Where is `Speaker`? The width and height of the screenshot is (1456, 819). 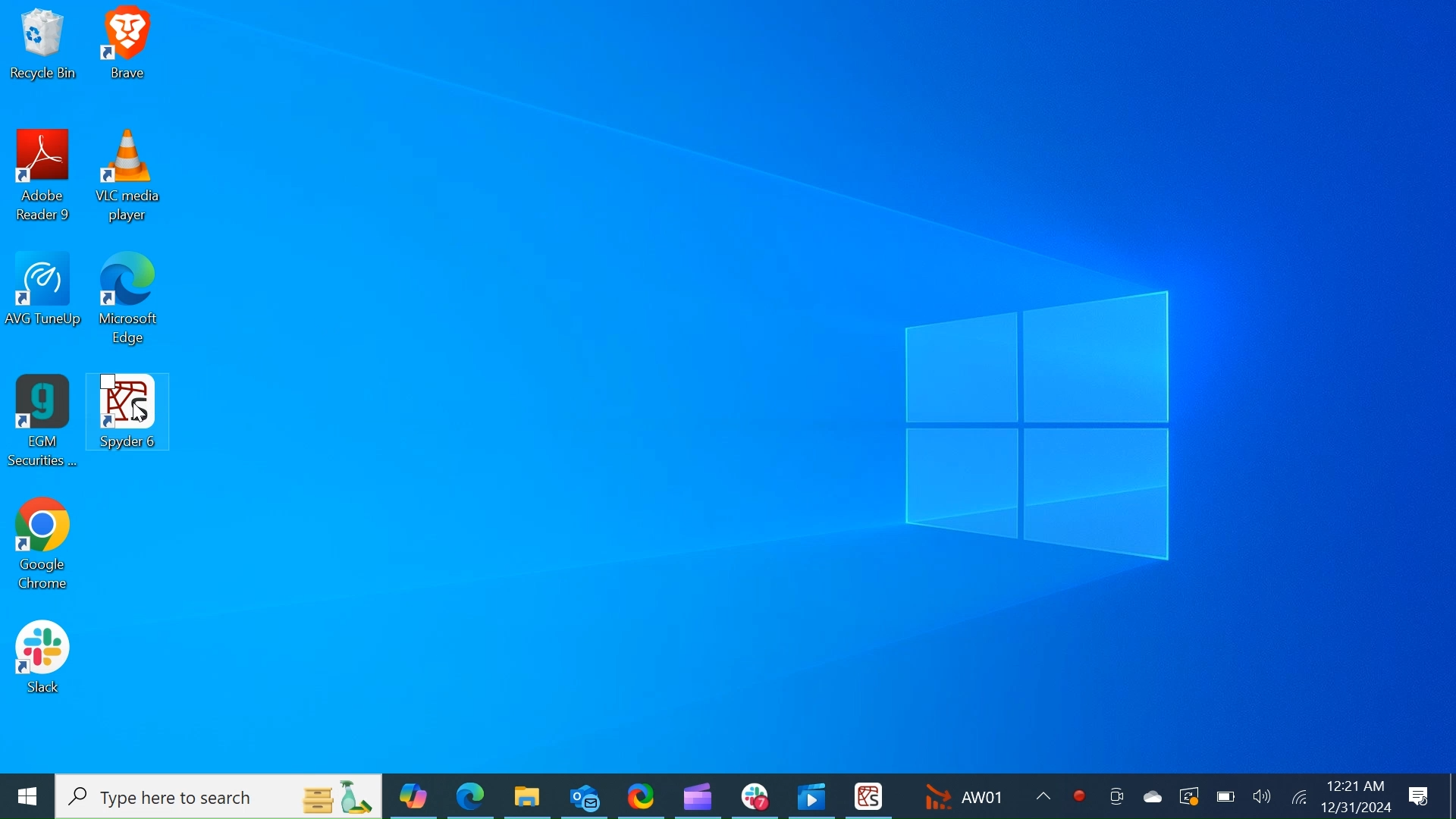
Speaker is located at coordinates (1262, 795).